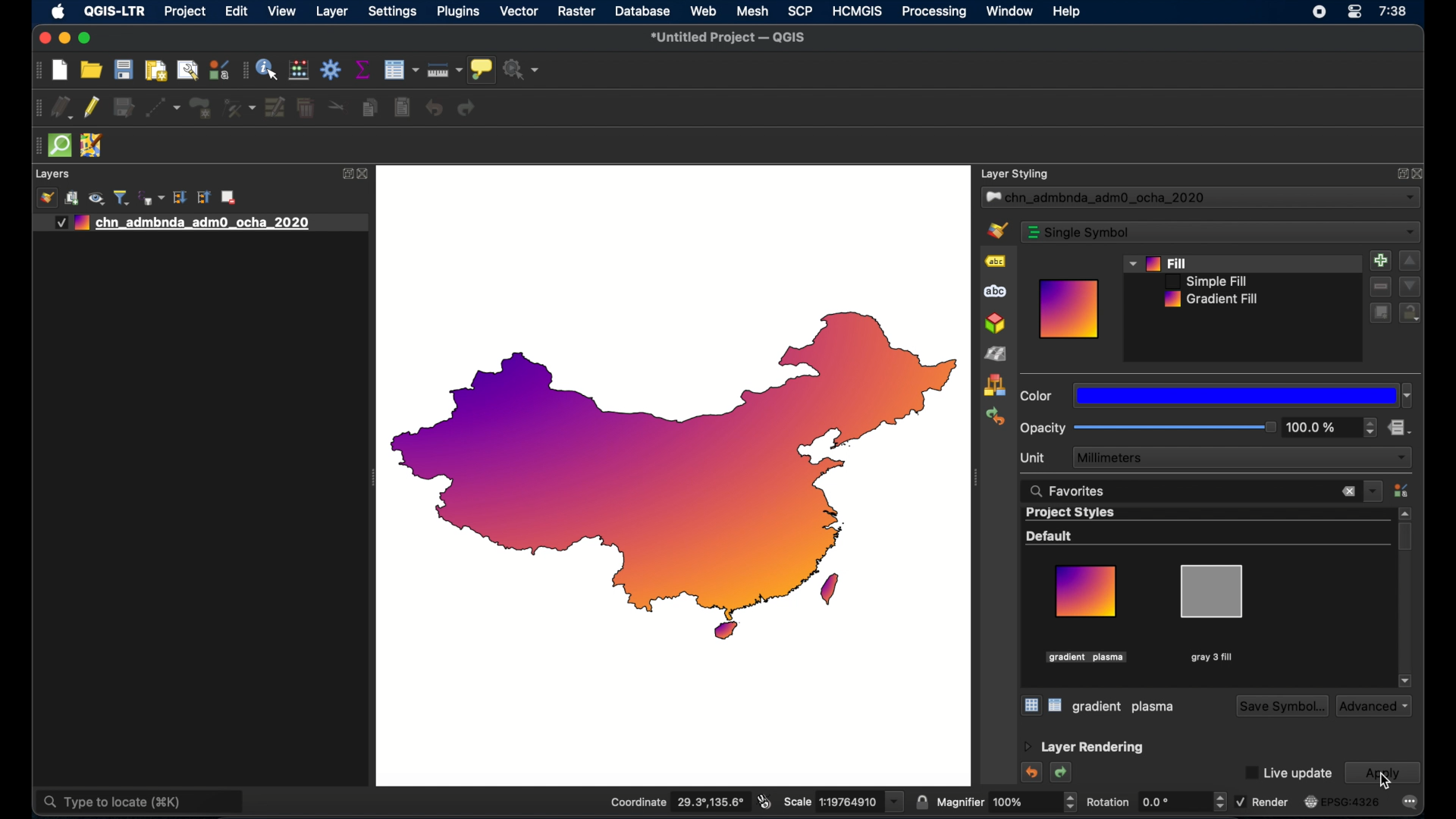  I want to click on current layer edits, so click(62, 108).